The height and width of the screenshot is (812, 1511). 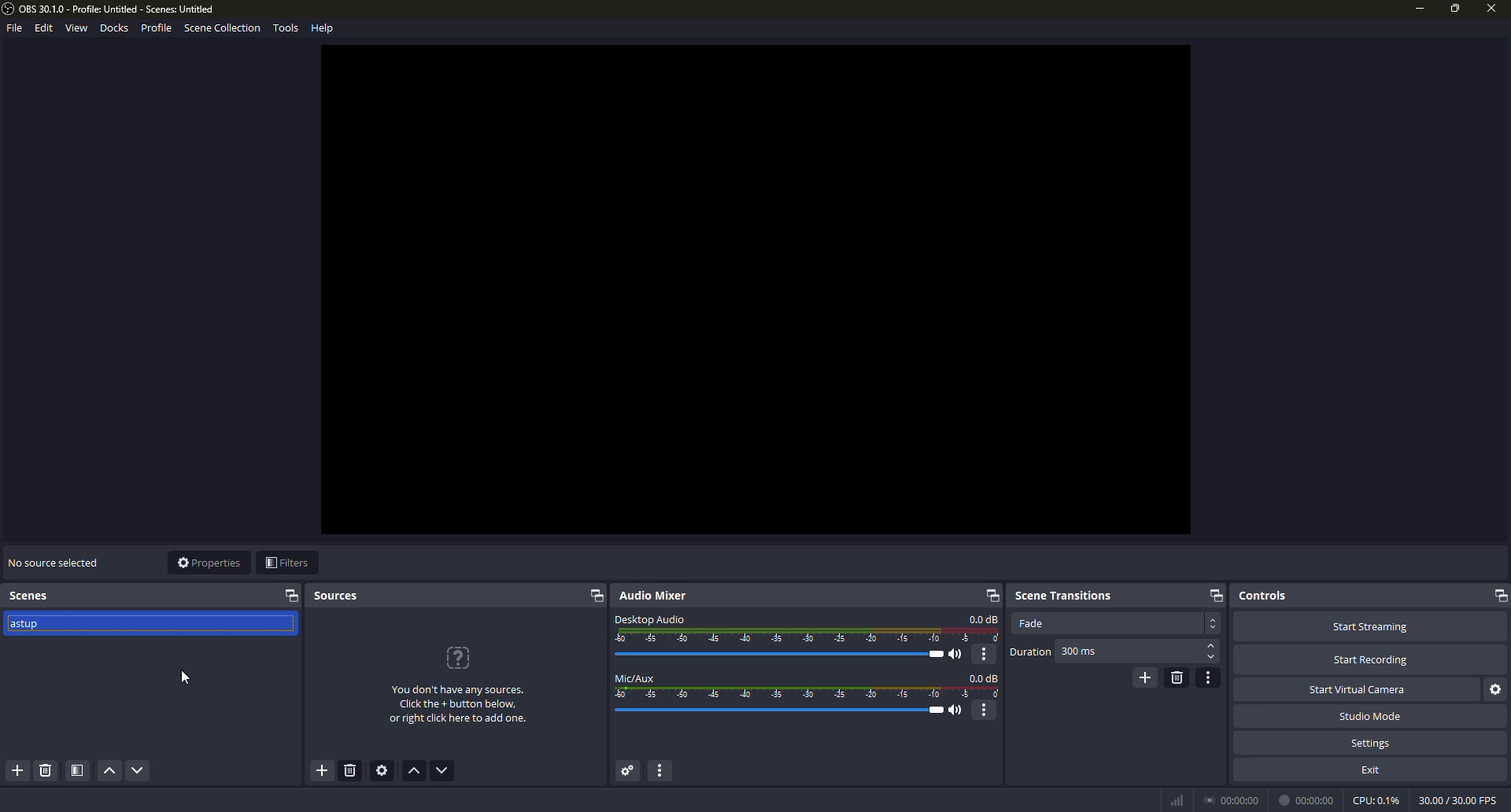 I want to click on properties, so click(x=209, y=563).